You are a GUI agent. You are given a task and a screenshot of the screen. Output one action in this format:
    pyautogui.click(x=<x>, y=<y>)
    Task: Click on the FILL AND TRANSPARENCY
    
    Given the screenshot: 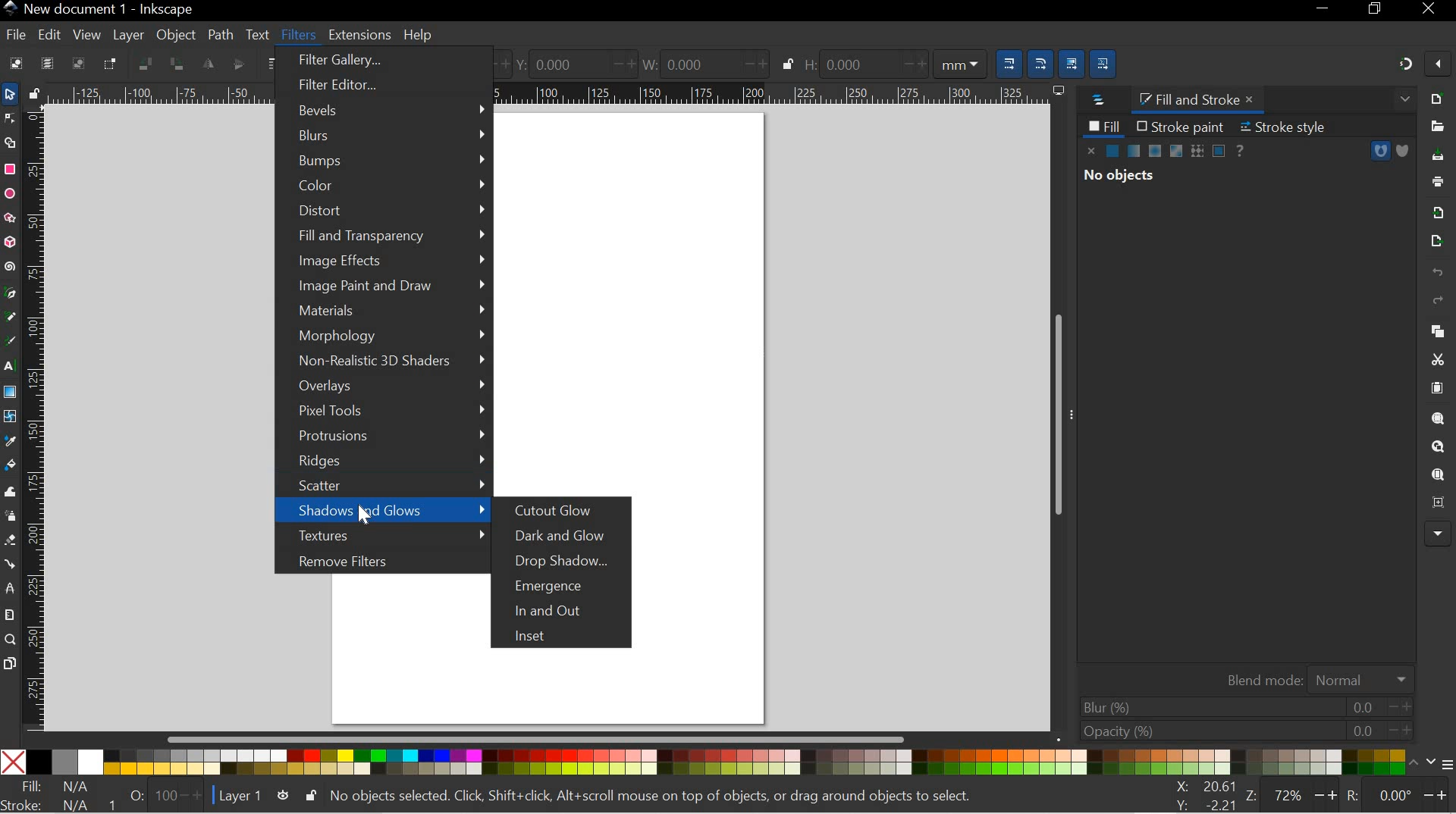 What is the action you would take?
    pyautogui.click(x=386, y=236)
    